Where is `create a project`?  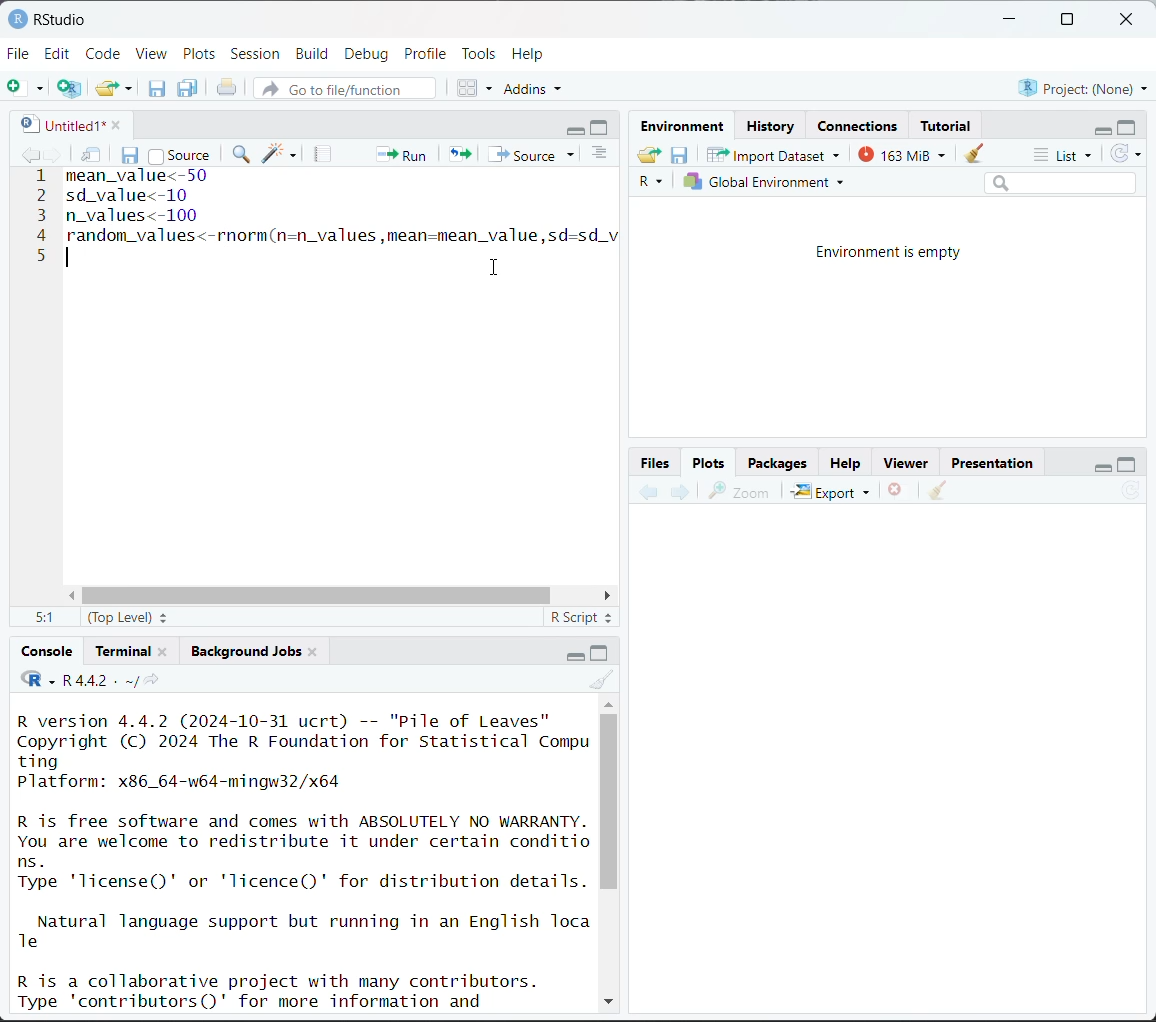
create a project is located at coordinates (69, 88).